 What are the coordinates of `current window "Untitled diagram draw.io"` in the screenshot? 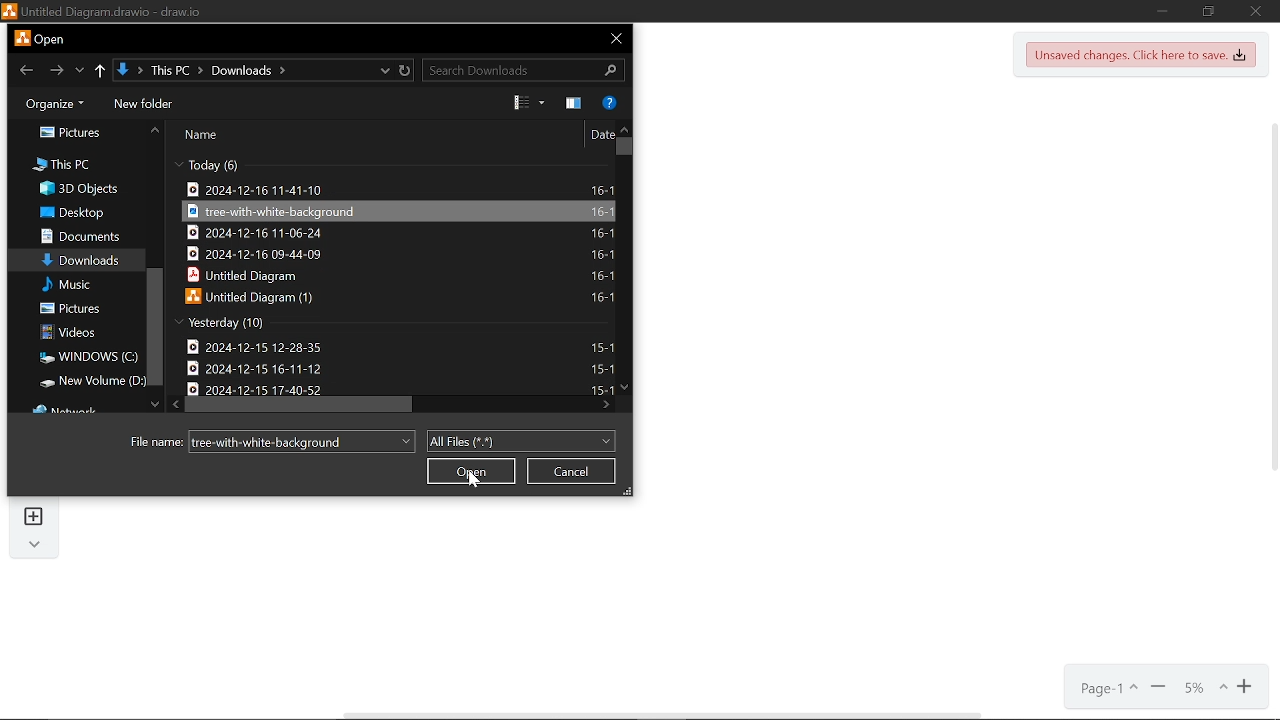 It's located at (102, 10).